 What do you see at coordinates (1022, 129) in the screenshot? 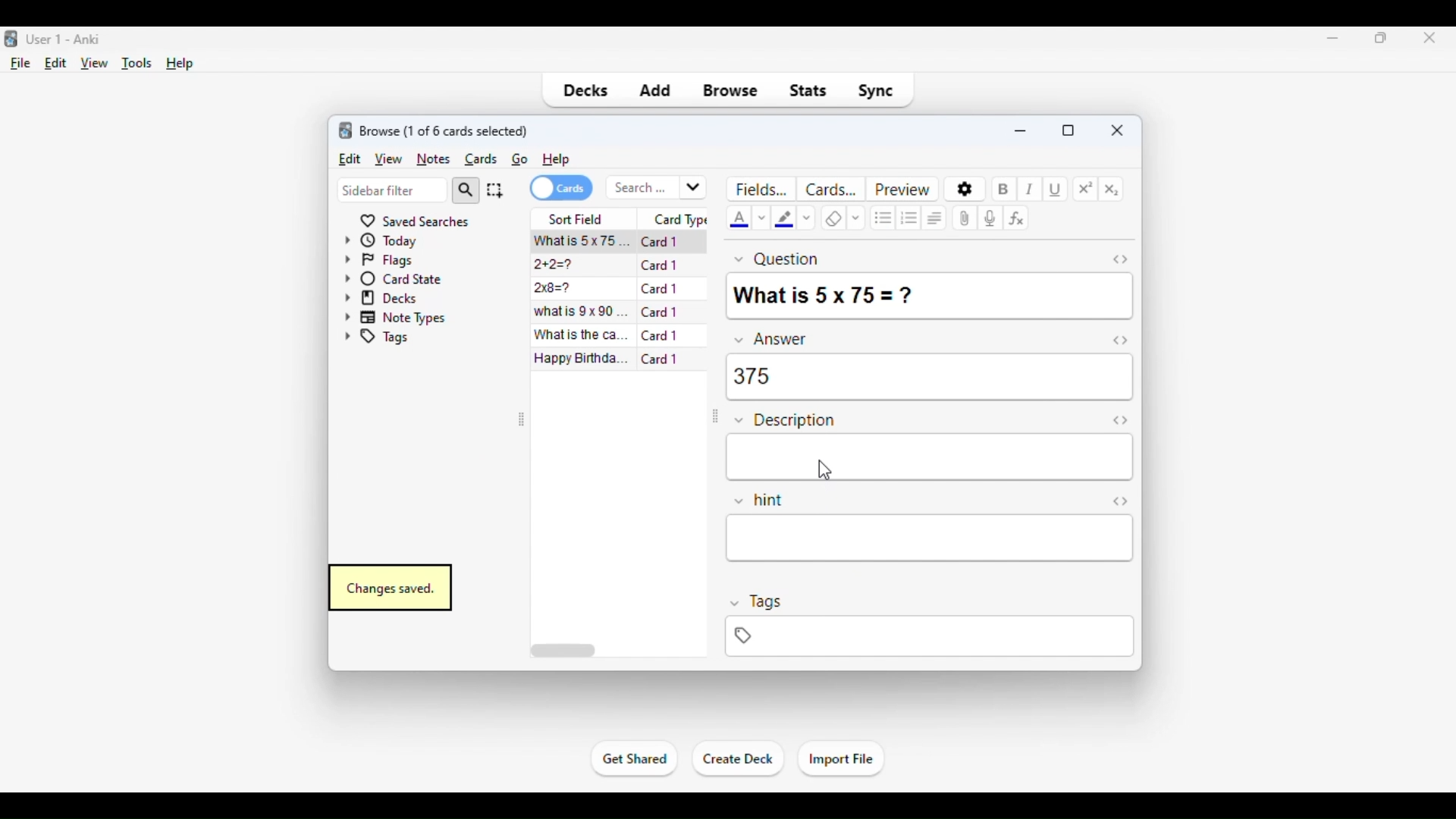
I see `minimize` at bounding box center [1022, 129].